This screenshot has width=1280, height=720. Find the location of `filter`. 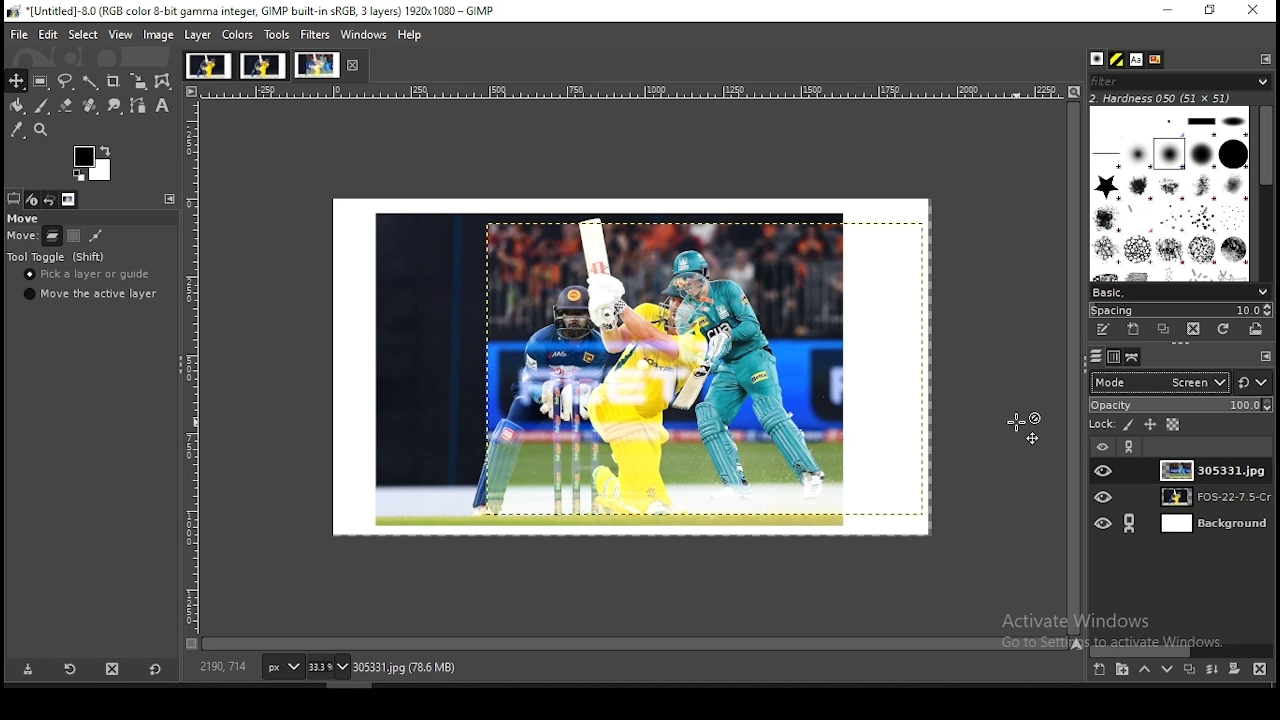

filter is located at coordinates (1181, 81).